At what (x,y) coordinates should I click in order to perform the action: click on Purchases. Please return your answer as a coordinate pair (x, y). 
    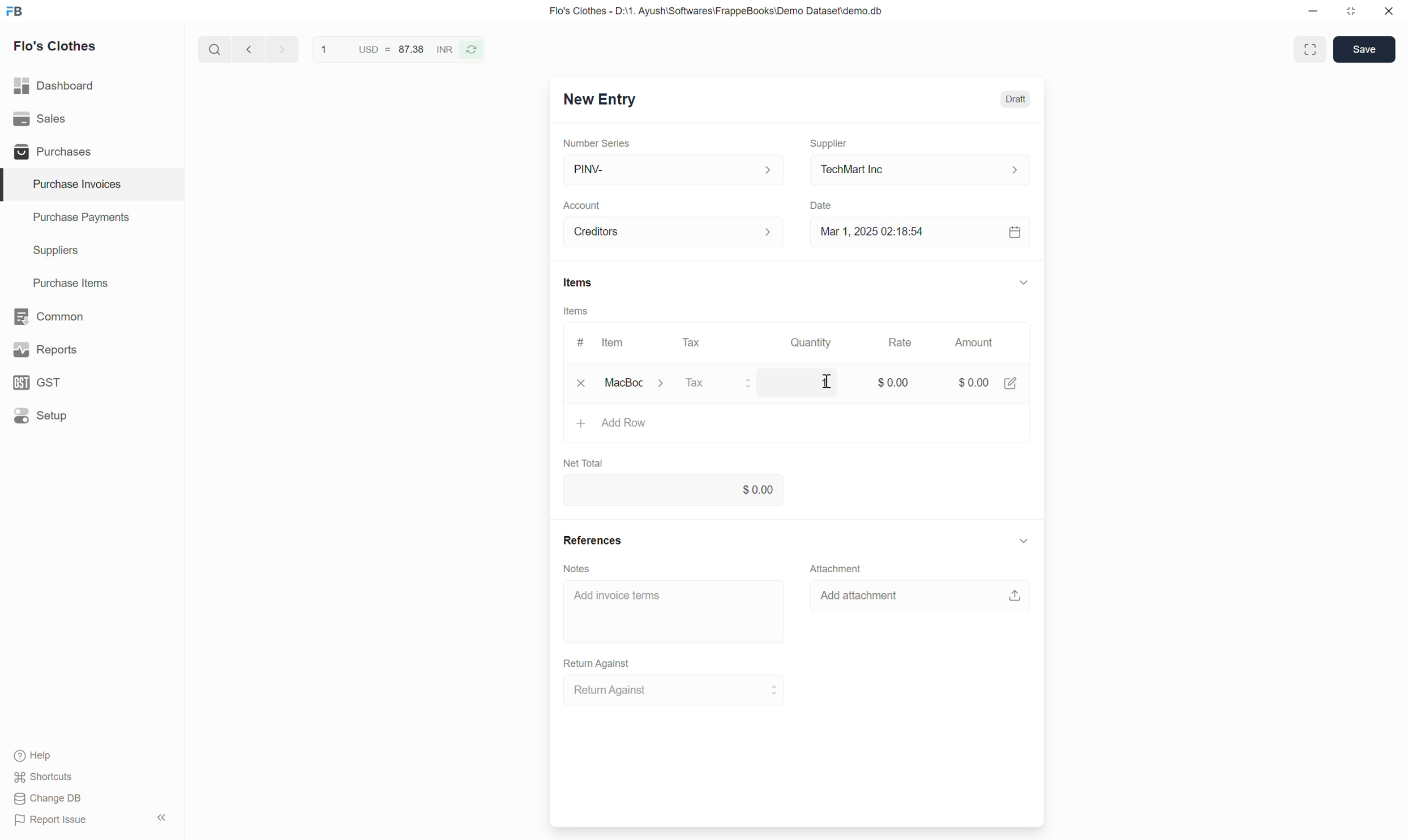
    Looking at the image, I should click on (91, 151).